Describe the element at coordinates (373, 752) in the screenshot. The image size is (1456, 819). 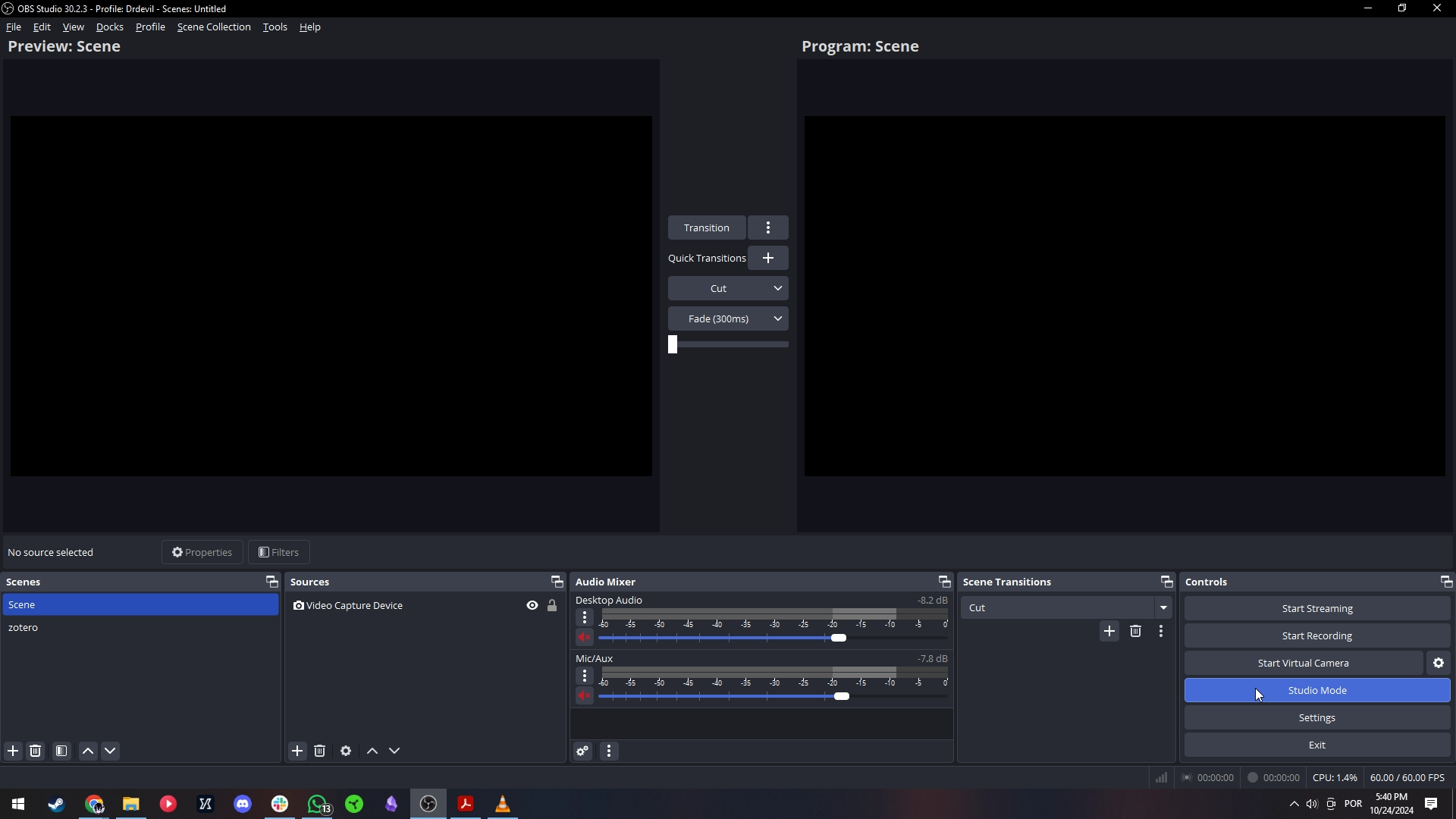
I see `Move source up` at that location.